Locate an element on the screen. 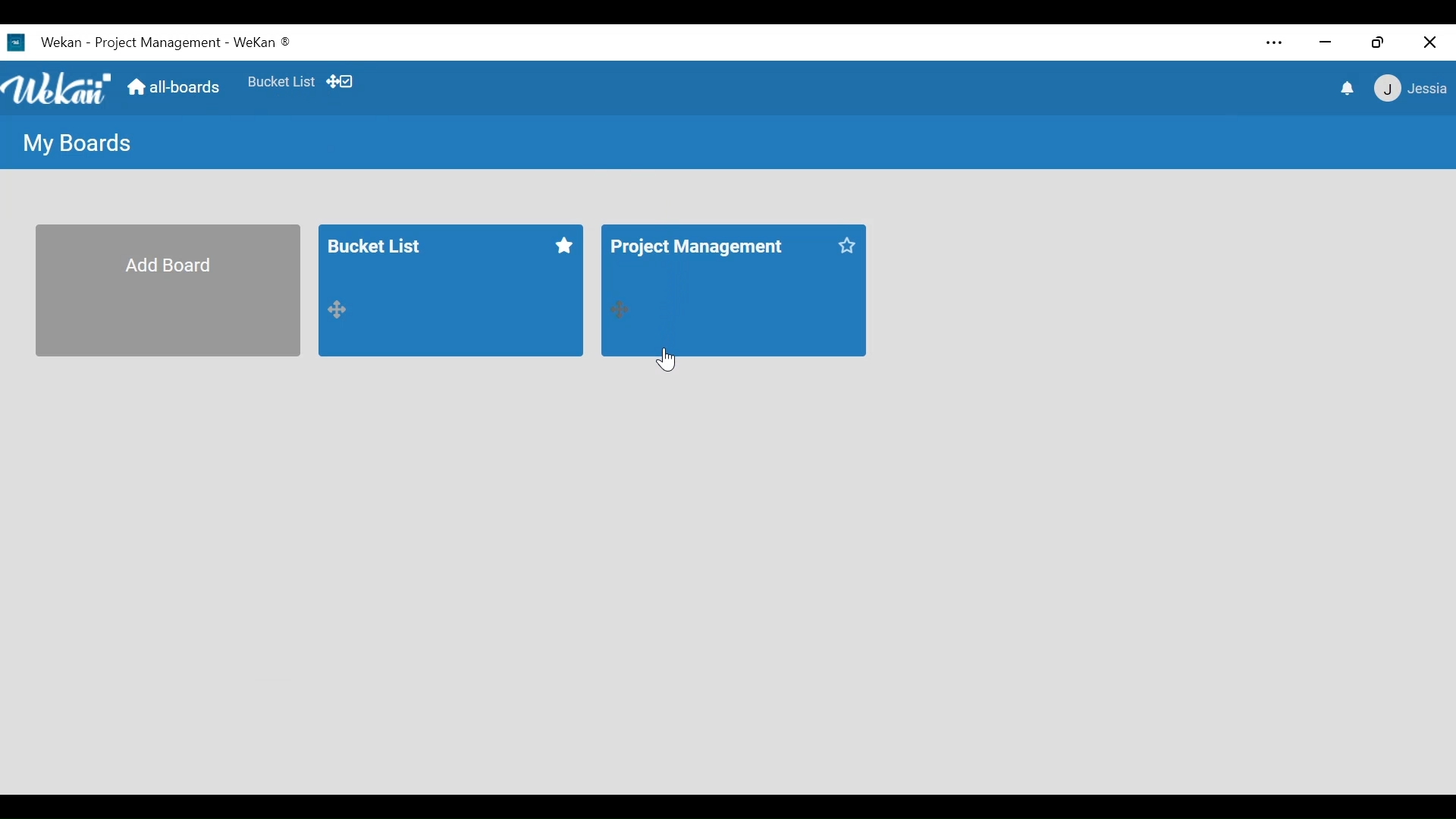  Wekan logo is located at coordinates (60, 88).